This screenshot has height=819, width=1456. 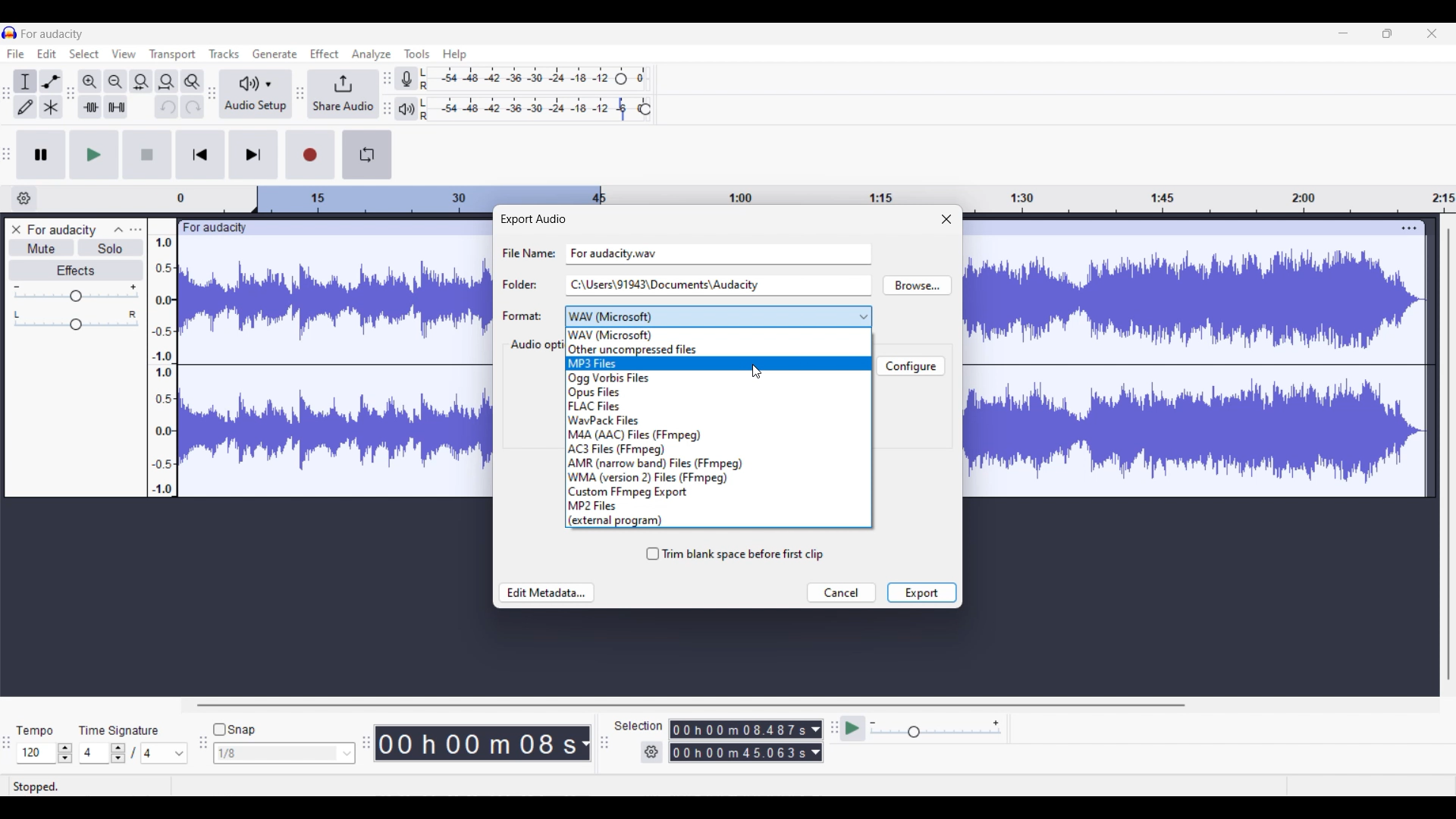 I want to click on Ogg Vorbis Files, so click(x=719, y=378).